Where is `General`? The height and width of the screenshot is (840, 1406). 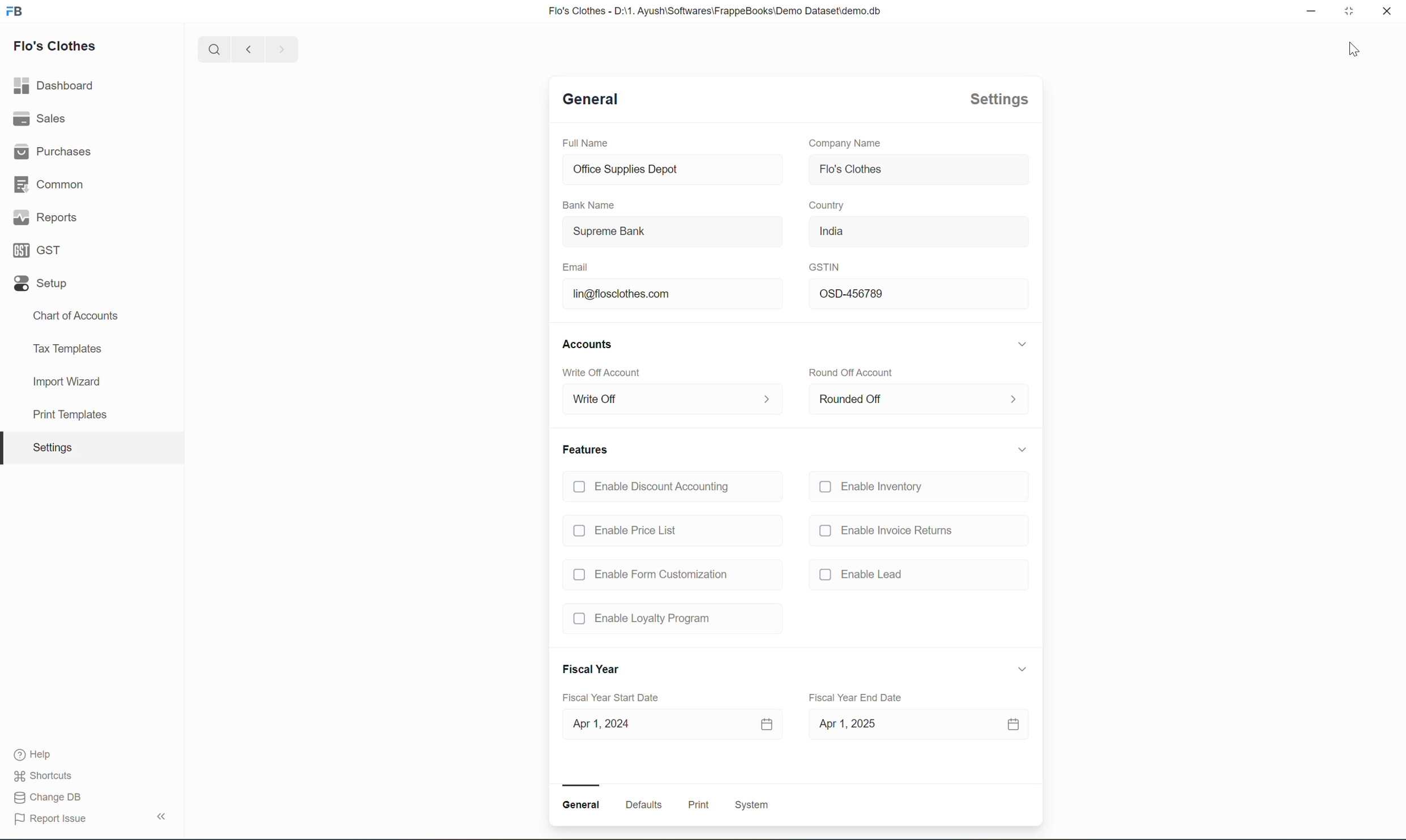
General is located at coordinates (581, 805).